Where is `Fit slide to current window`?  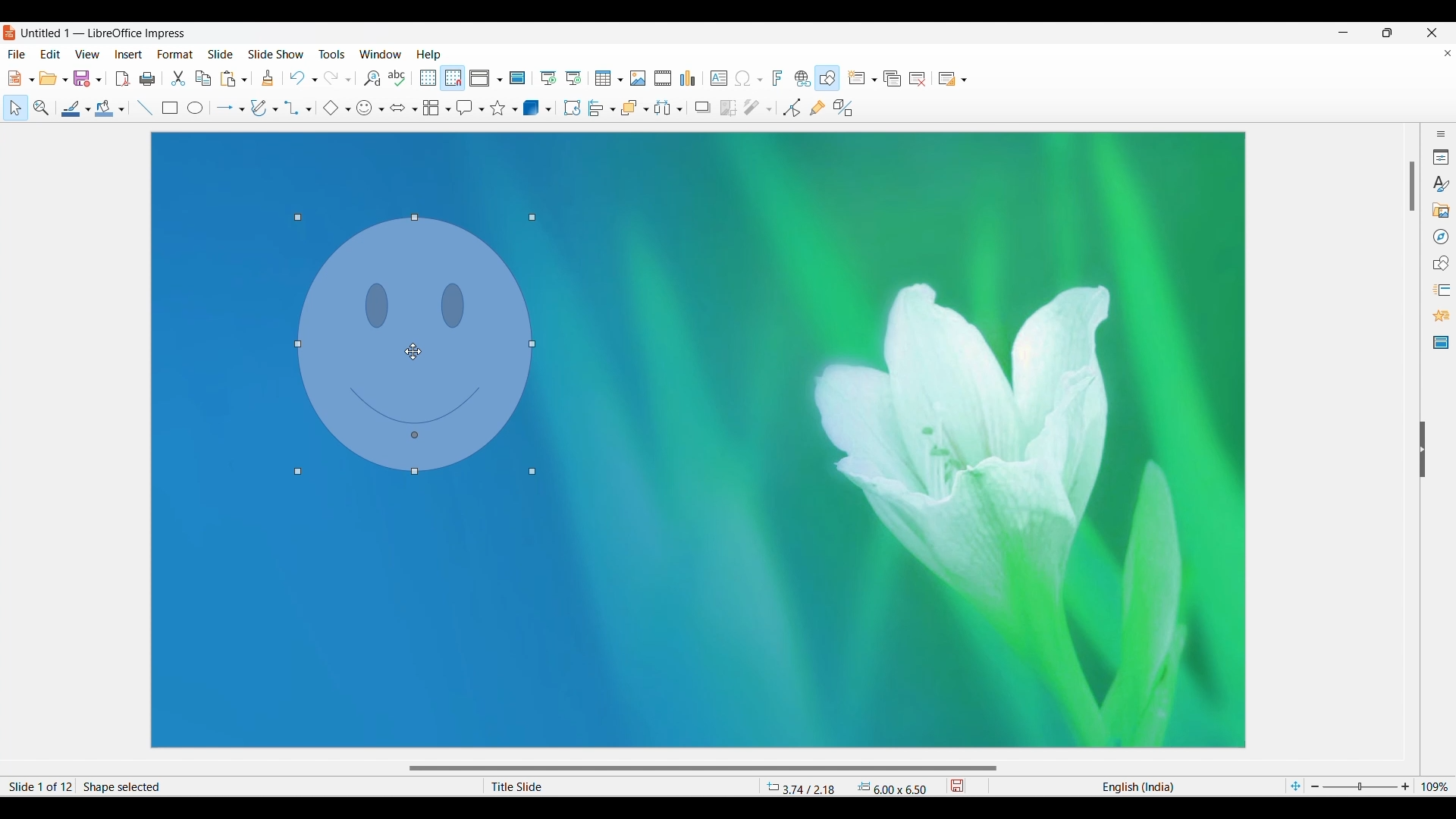
Fit slide to current window is located at coordinates (1295, 786).